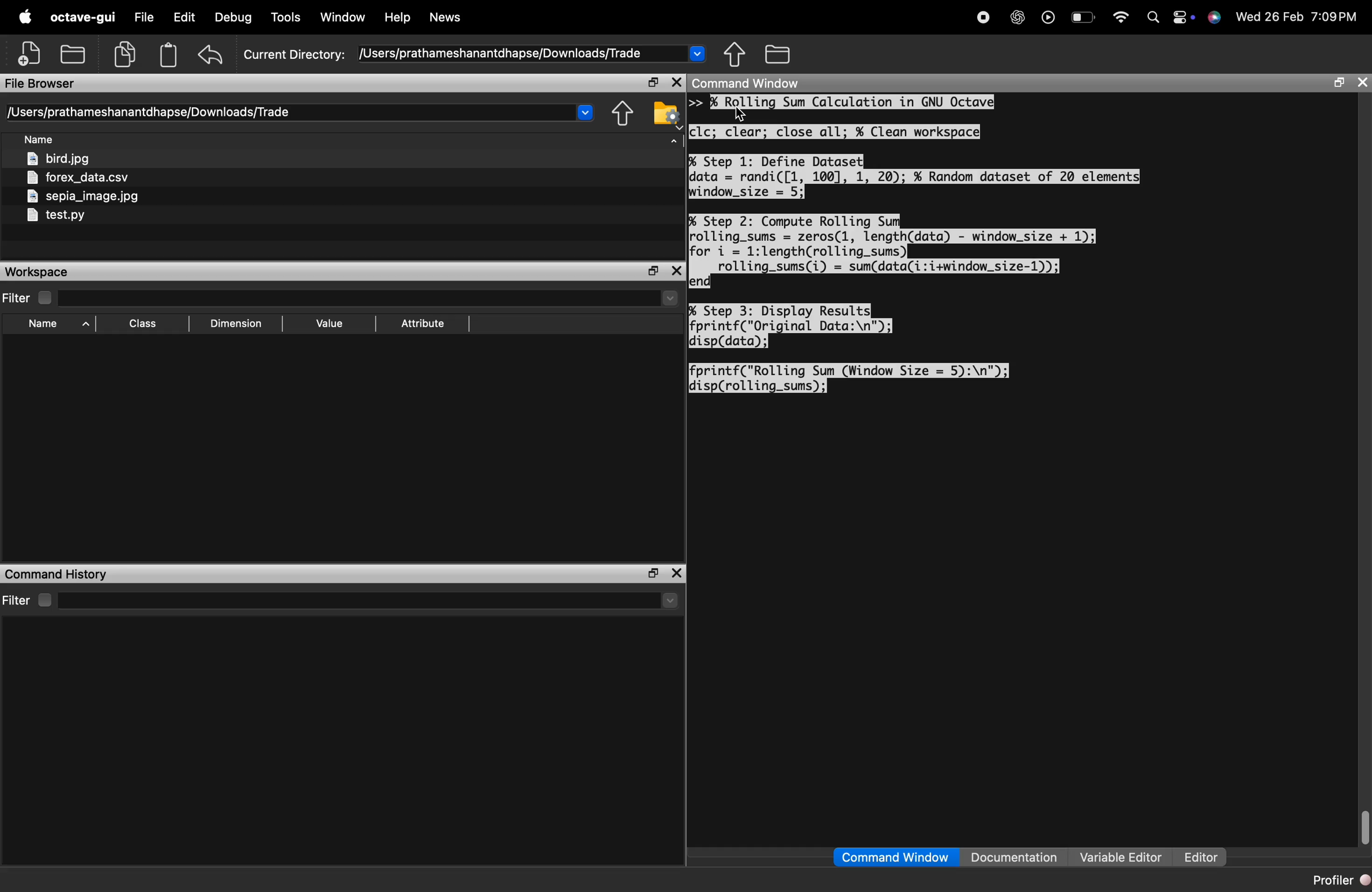 The image size is (1372, 892). I want to click on apple logo, so click(27, 17).